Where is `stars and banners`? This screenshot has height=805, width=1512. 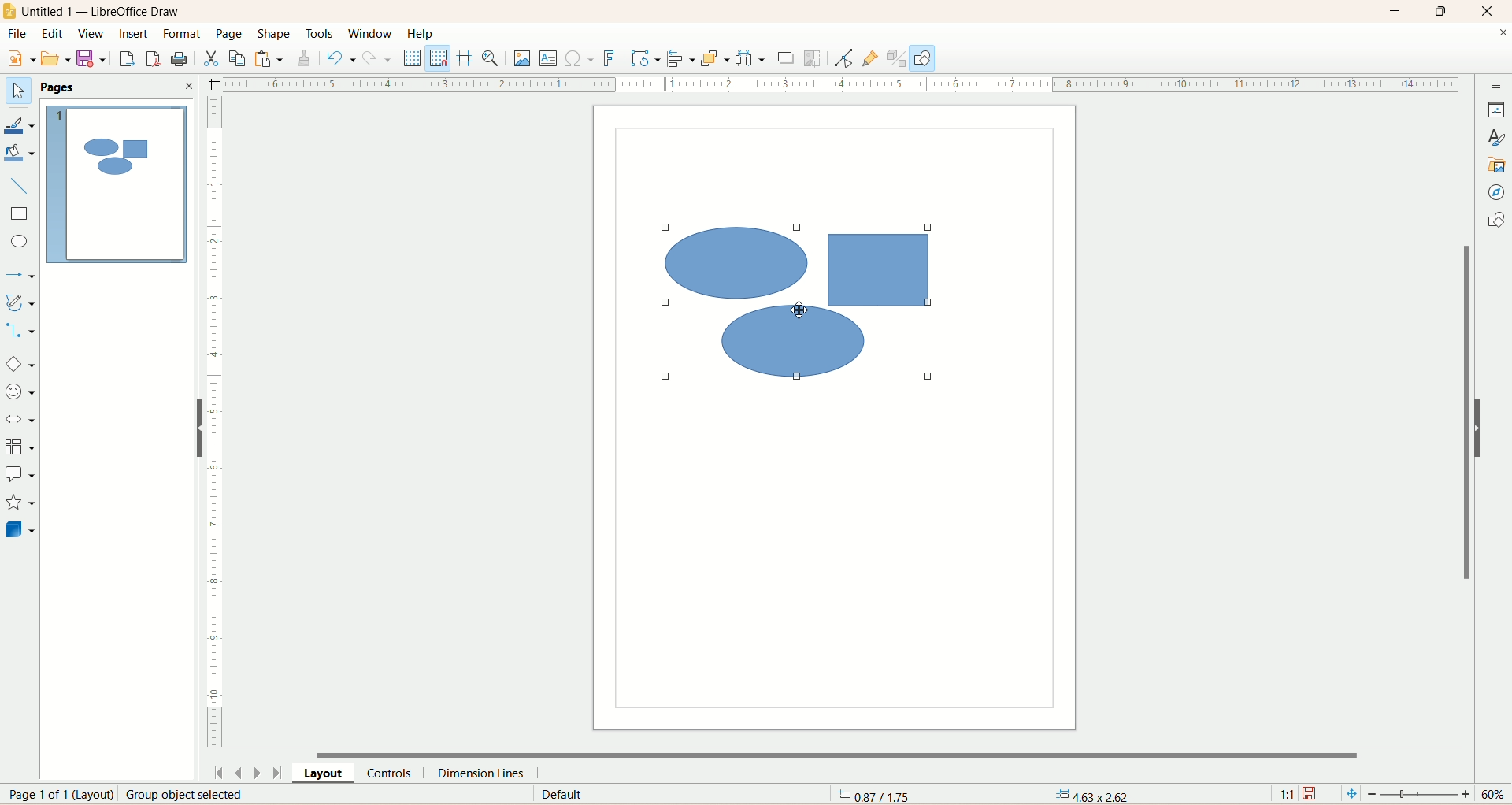 stars and banners is located at coordinates (19, 503).